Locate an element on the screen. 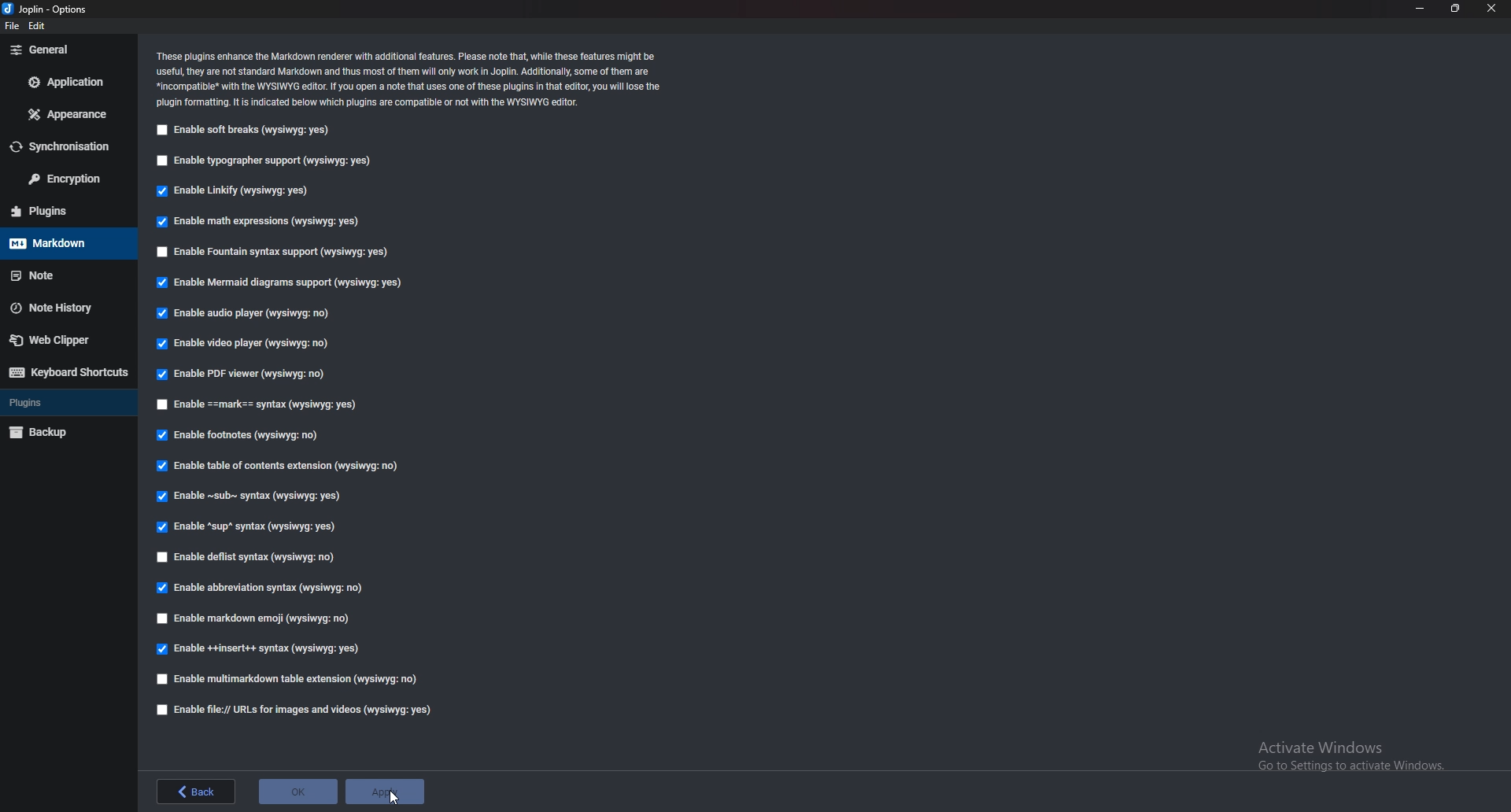 This screenshot has width=1511, height=812. Enable footnotes is located at coordinates (241, 437).